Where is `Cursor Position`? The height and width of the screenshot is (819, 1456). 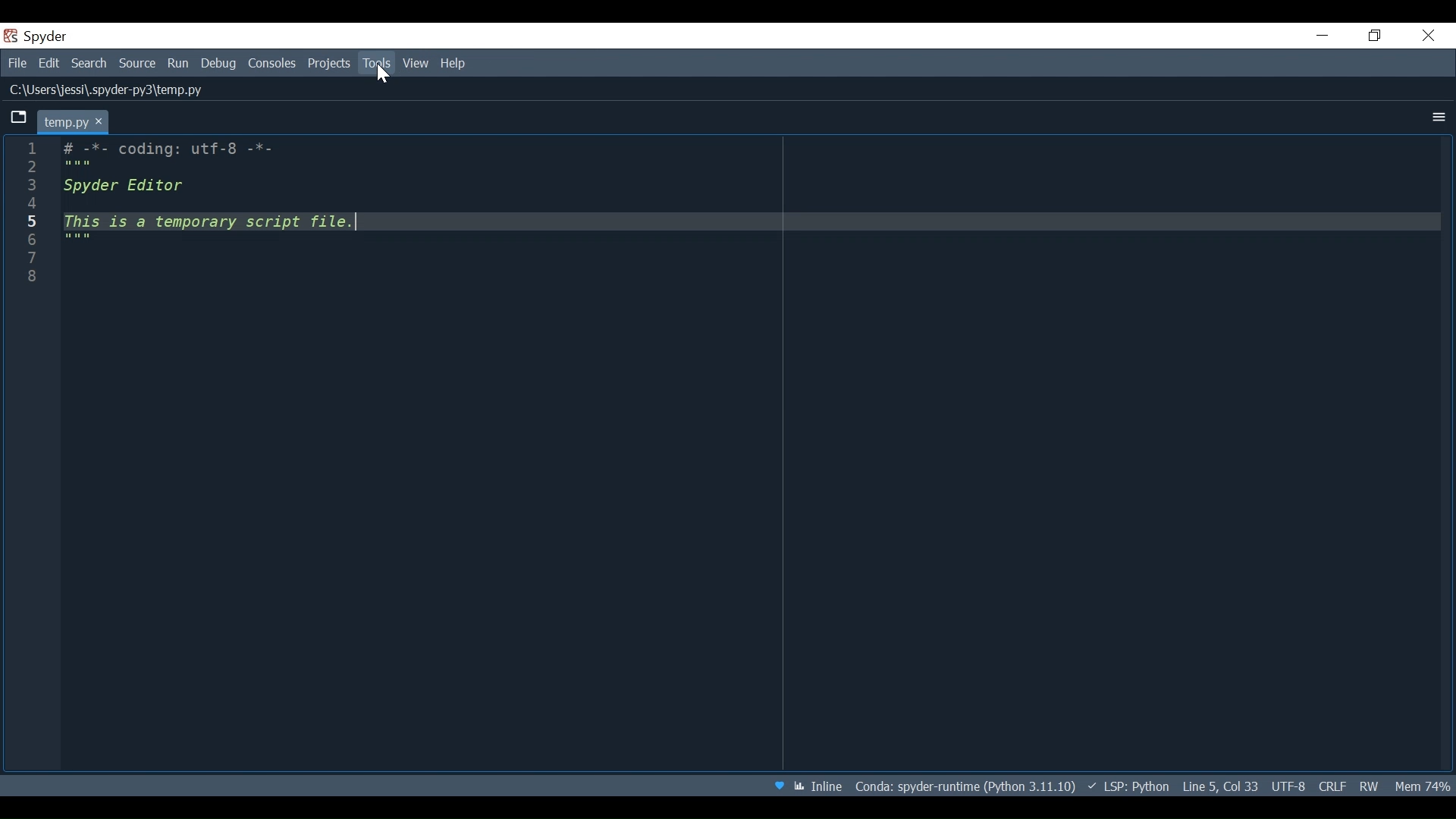
Cursor Position is located at coordinates (1221, 785).